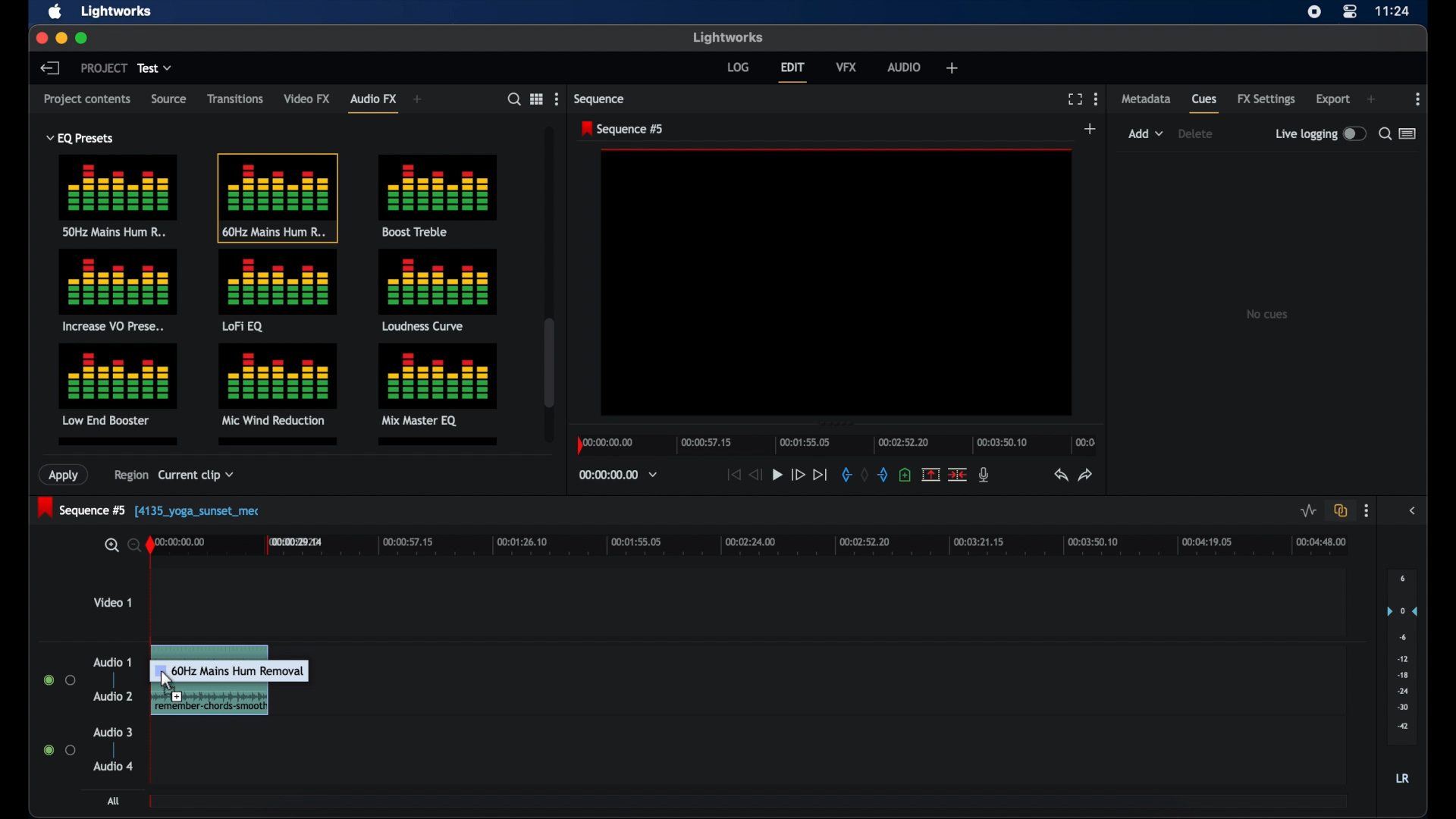 This screenshot has width=1456, height=819. I want to click on audio 3, so click(112, 733).